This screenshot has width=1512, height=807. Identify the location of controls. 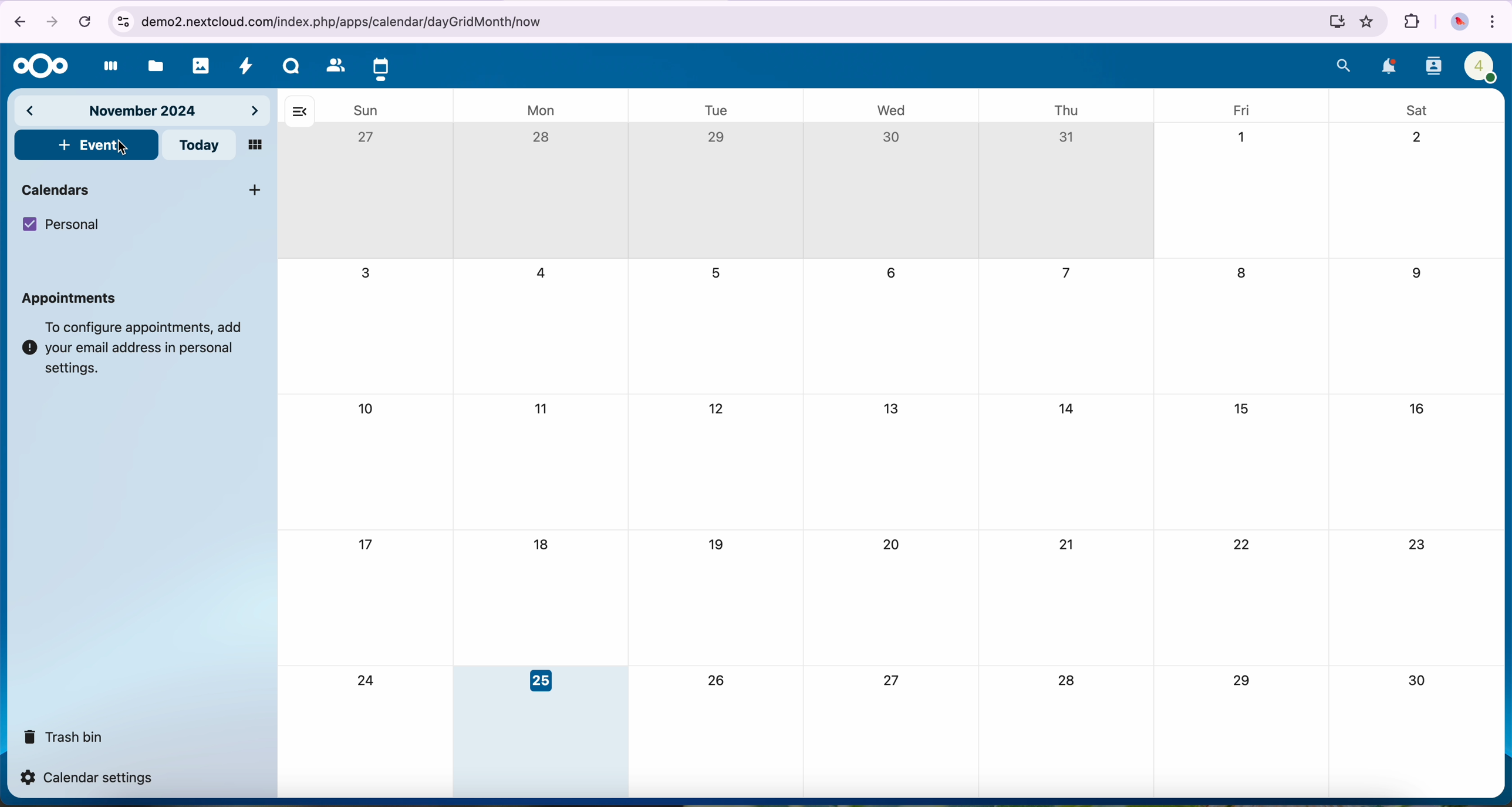
(122, 22).